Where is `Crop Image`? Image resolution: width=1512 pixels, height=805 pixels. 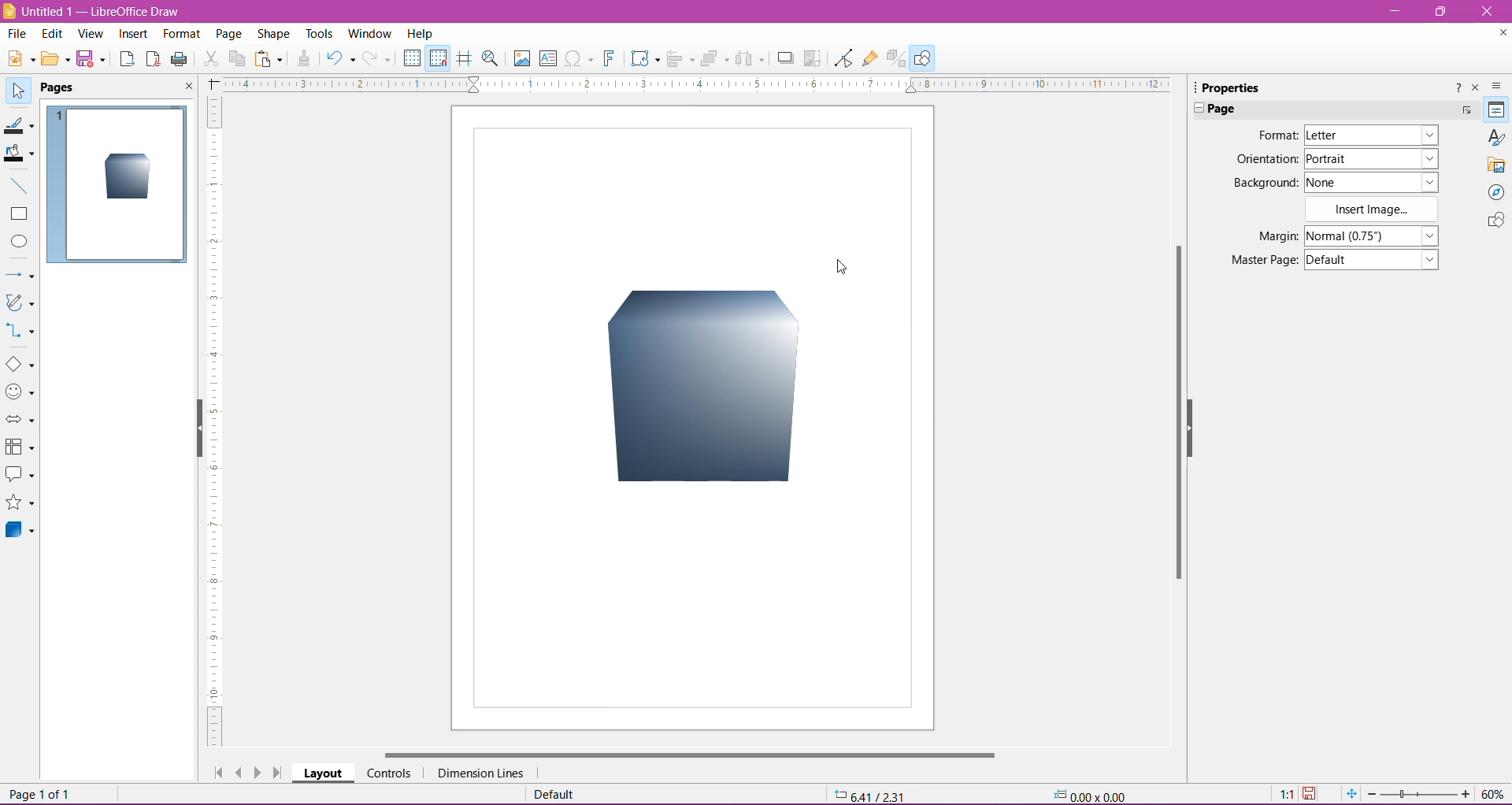
Crop Image is located at coordinates (813, 58).